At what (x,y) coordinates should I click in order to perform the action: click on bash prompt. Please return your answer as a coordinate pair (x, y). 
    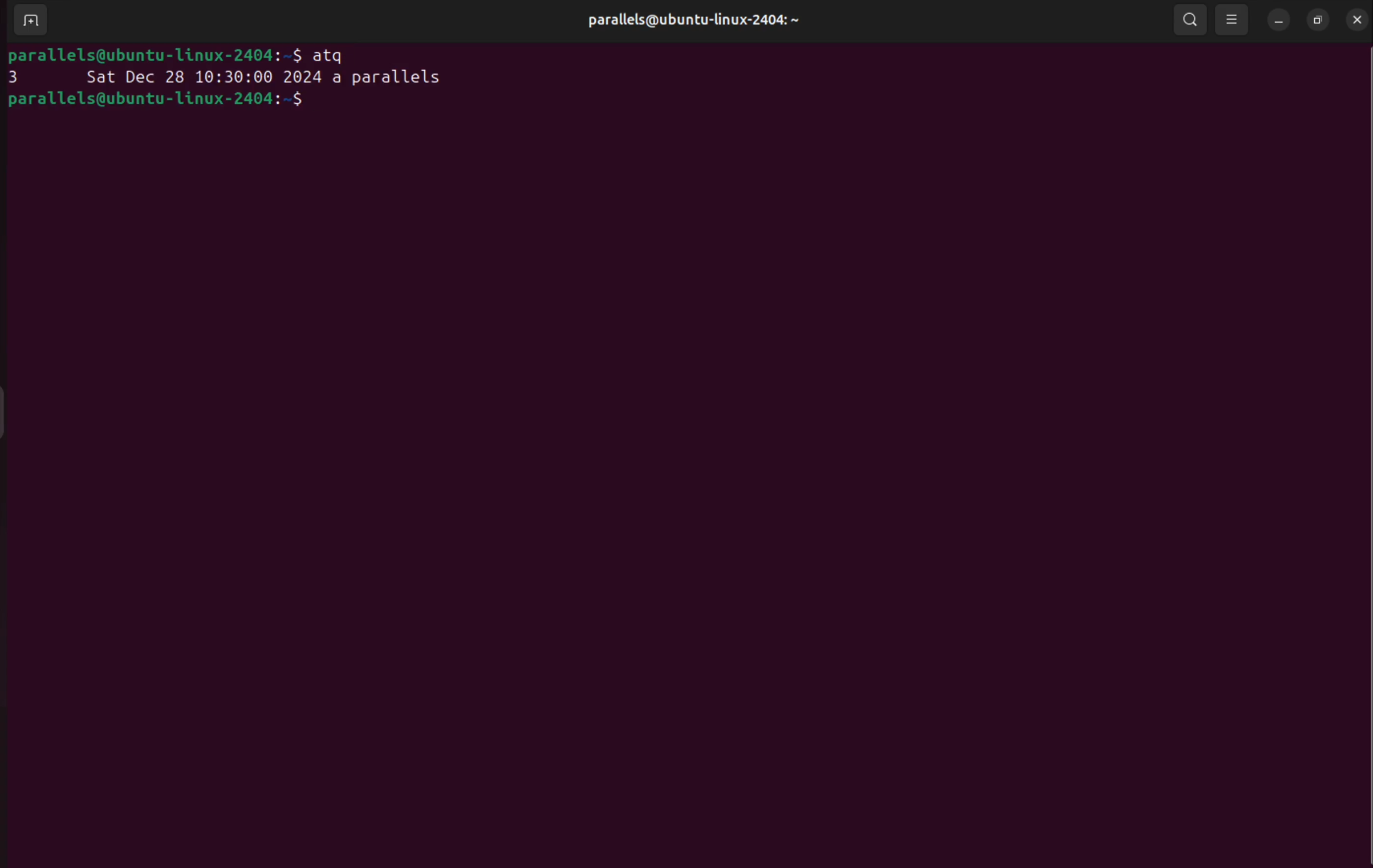
    Looking at the image, I should click on (153, 52).